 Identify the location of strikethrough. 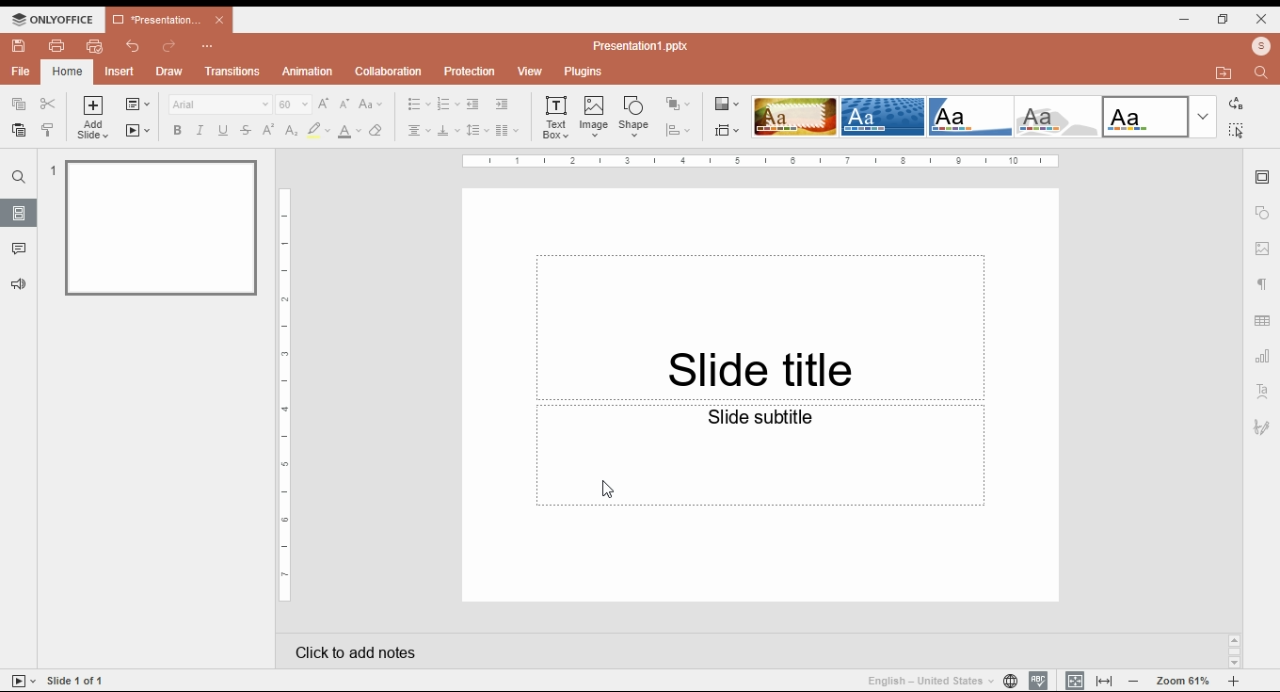
(246, 130).